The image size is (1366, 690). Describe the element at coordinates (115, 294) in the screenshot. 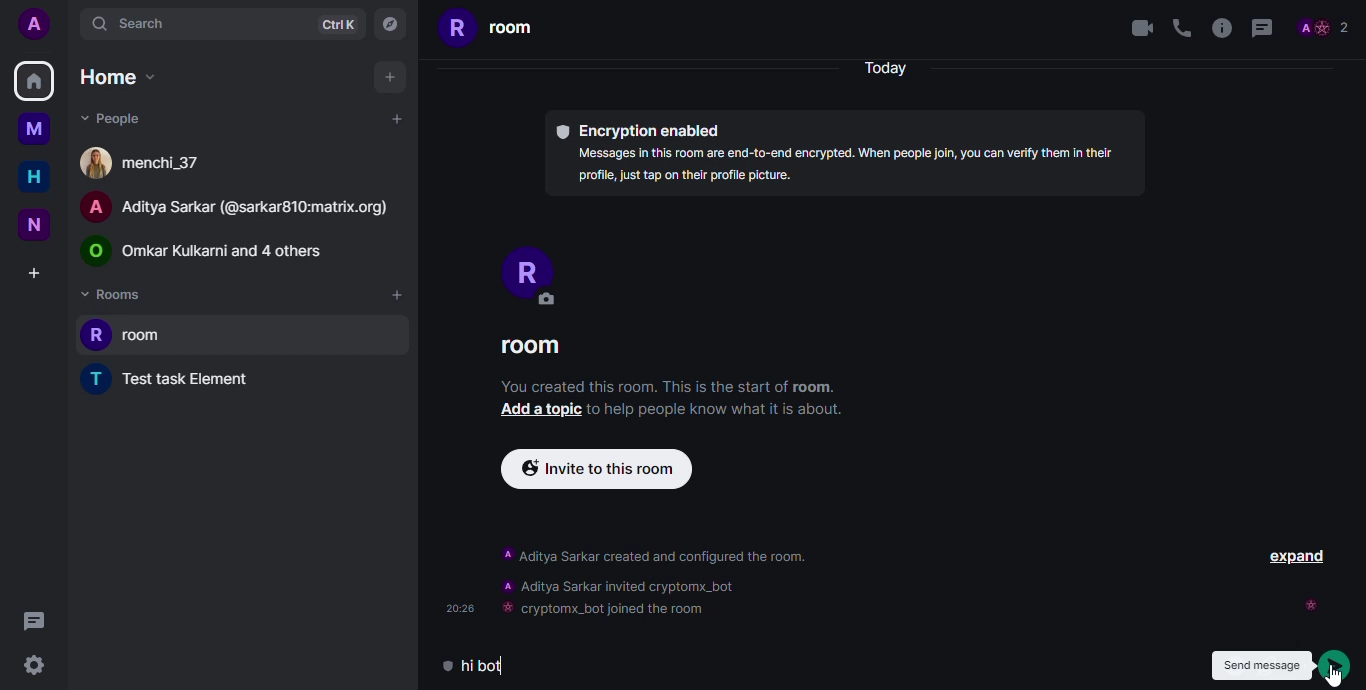

I see `rooms` at that location.